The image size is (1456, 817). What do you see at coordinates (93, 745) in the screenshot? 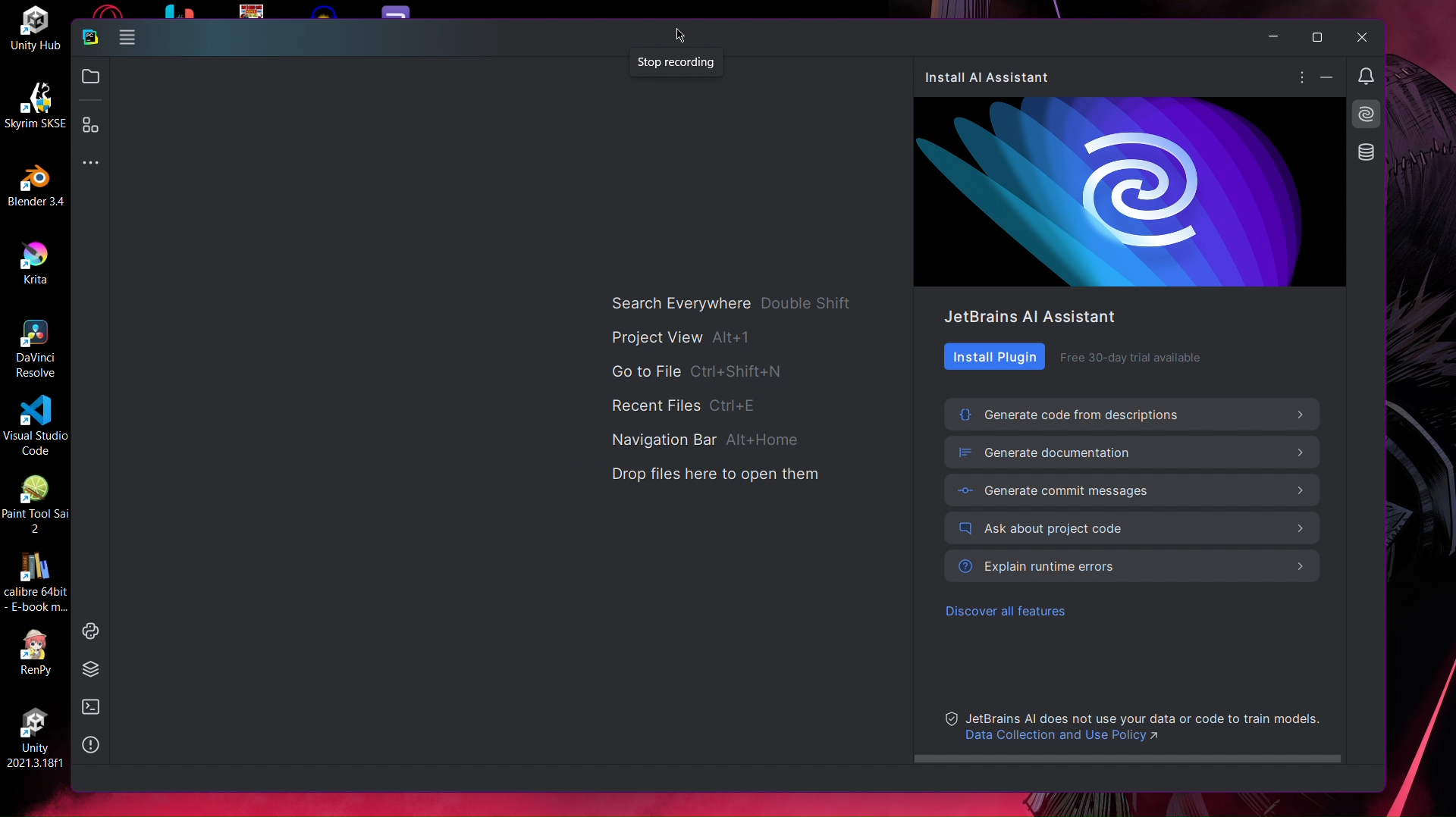
I see `Problems` at bounding box center [93, 745].